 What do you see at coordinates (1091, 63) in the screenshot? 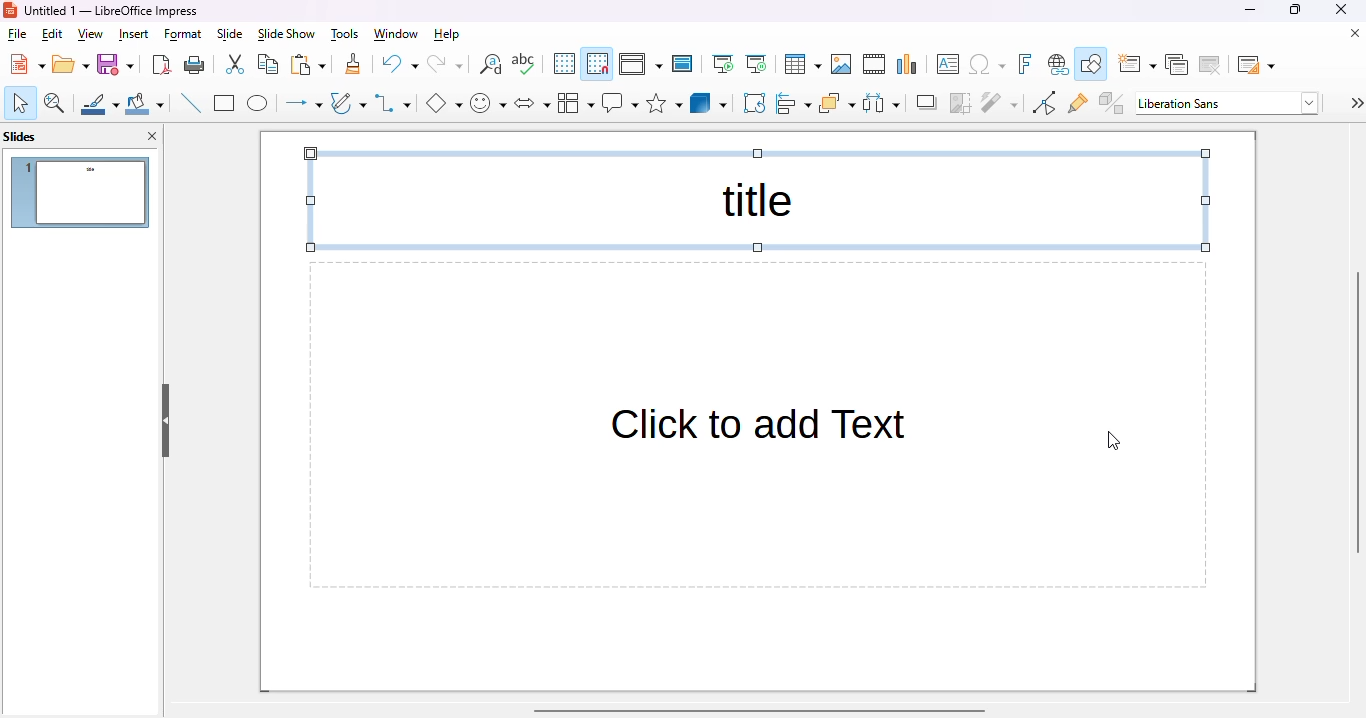
I see `show draw functions` at bounding box center [1091, 63].